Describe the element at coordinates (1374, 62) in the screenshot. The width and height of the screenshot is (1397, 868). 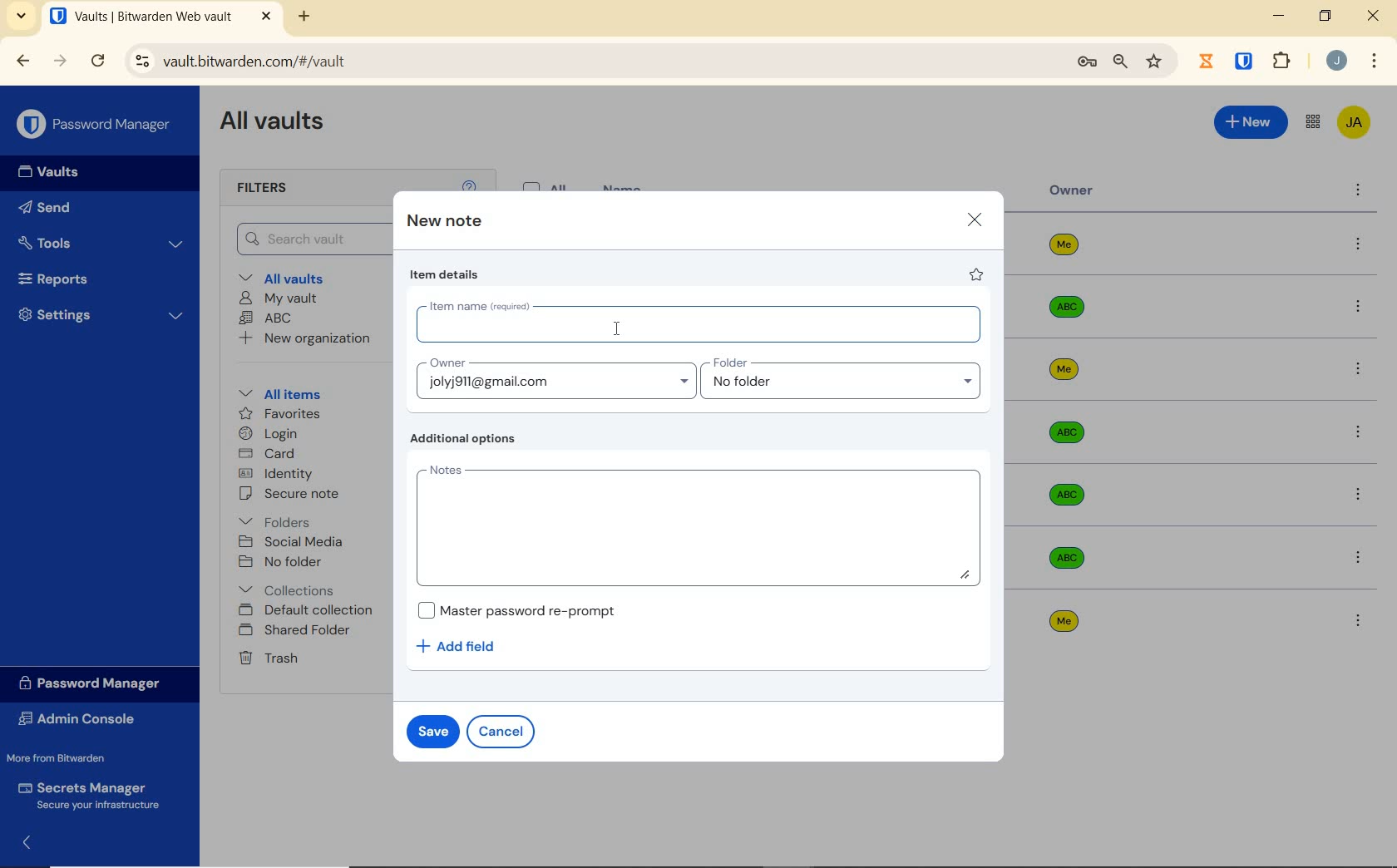
I see `customize Google chrome` at that location.